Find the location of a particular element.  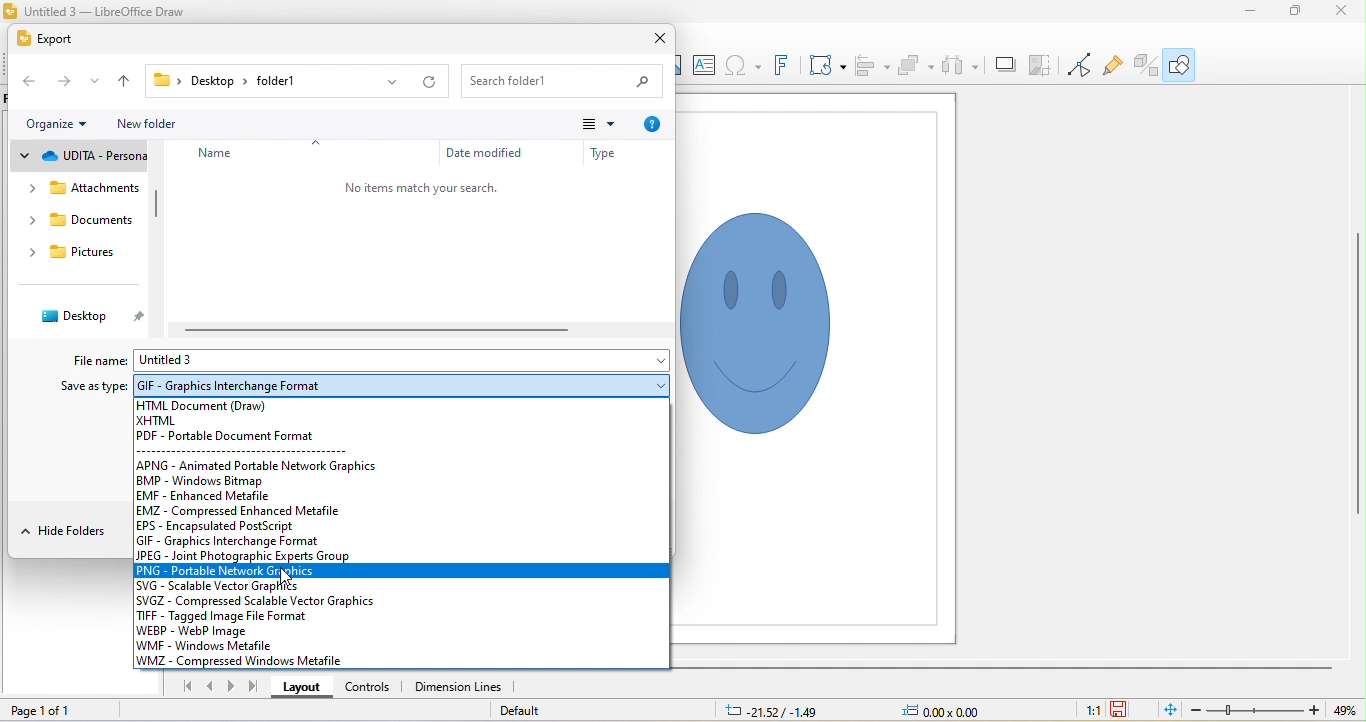

insert special characters is located at coordinates (744, 66).